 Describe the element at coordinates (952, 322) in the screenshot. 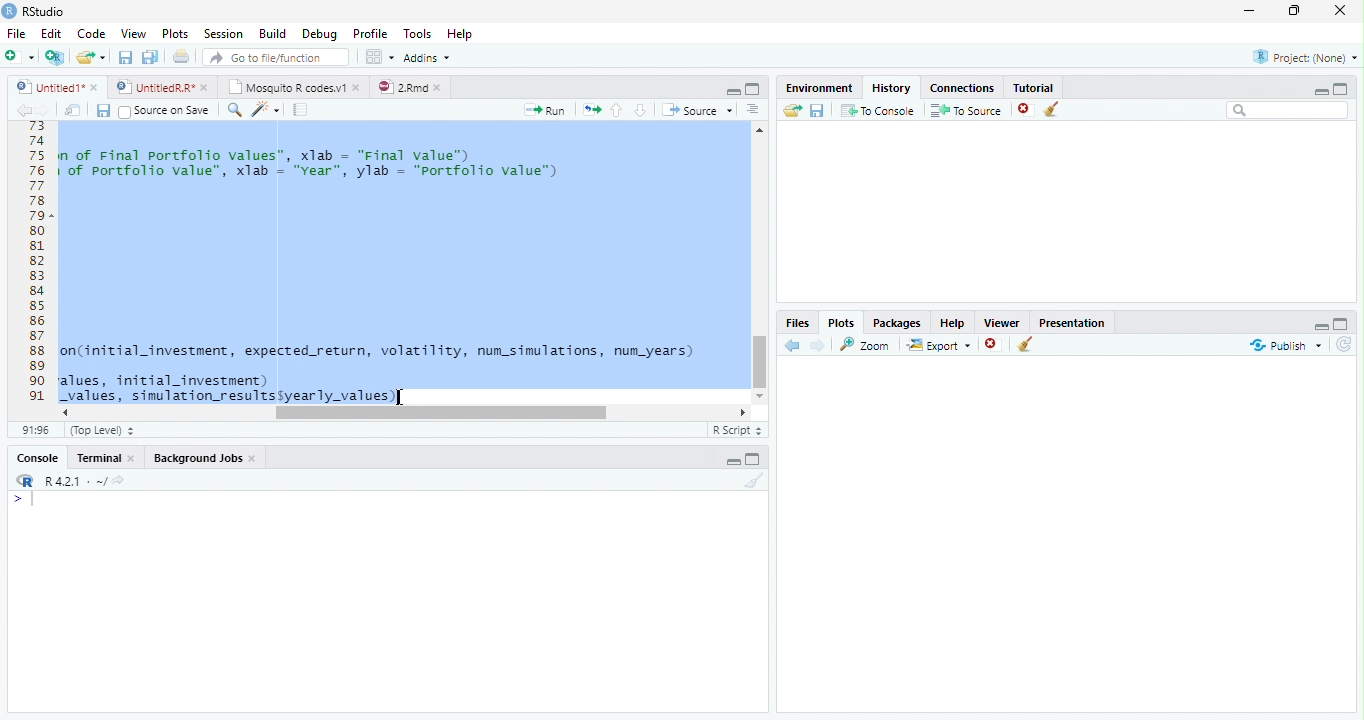

I see `Help` at that location.